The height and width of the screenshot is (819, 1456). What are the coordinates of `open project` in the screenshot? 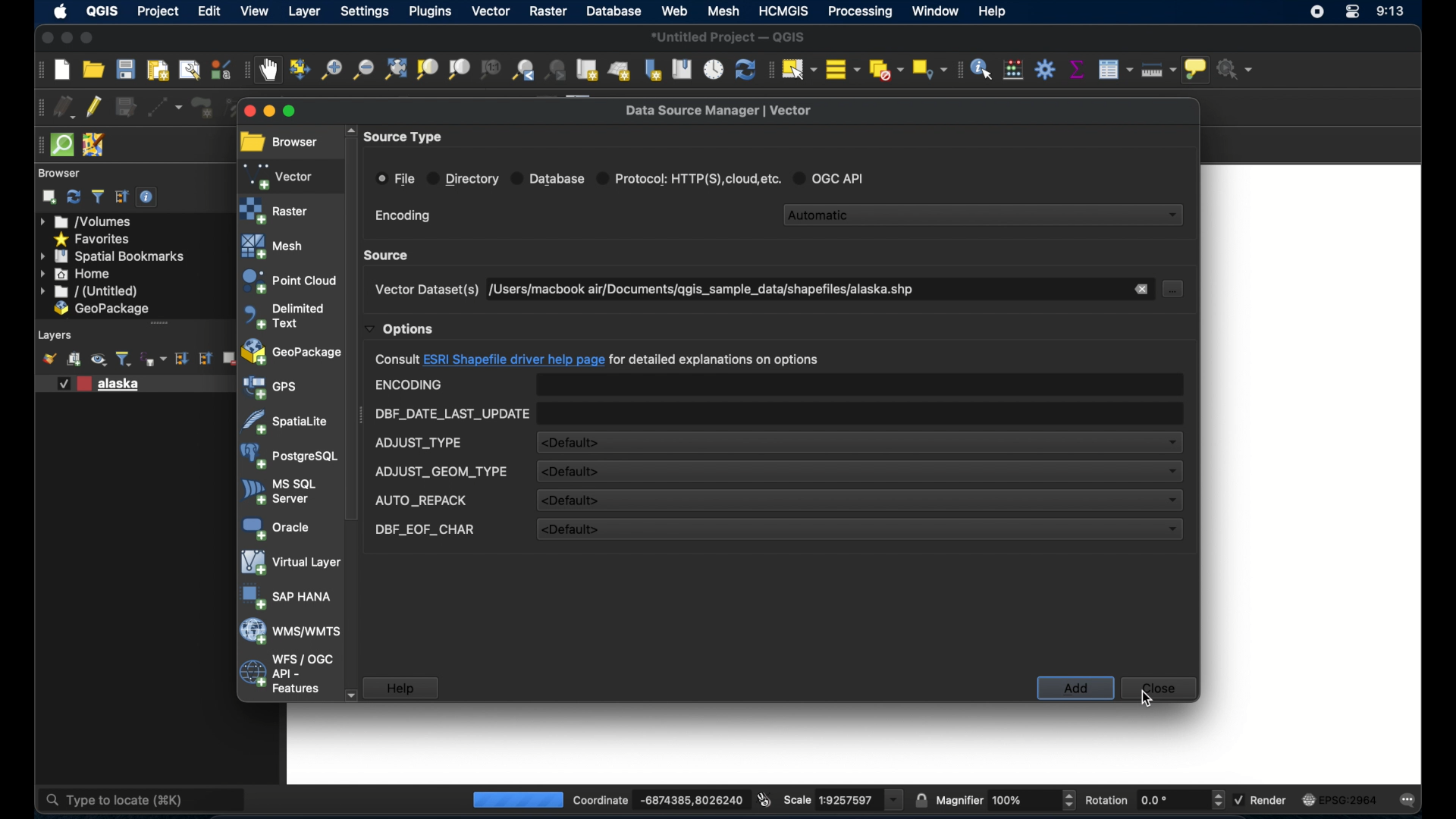 It's located at (93, 70).